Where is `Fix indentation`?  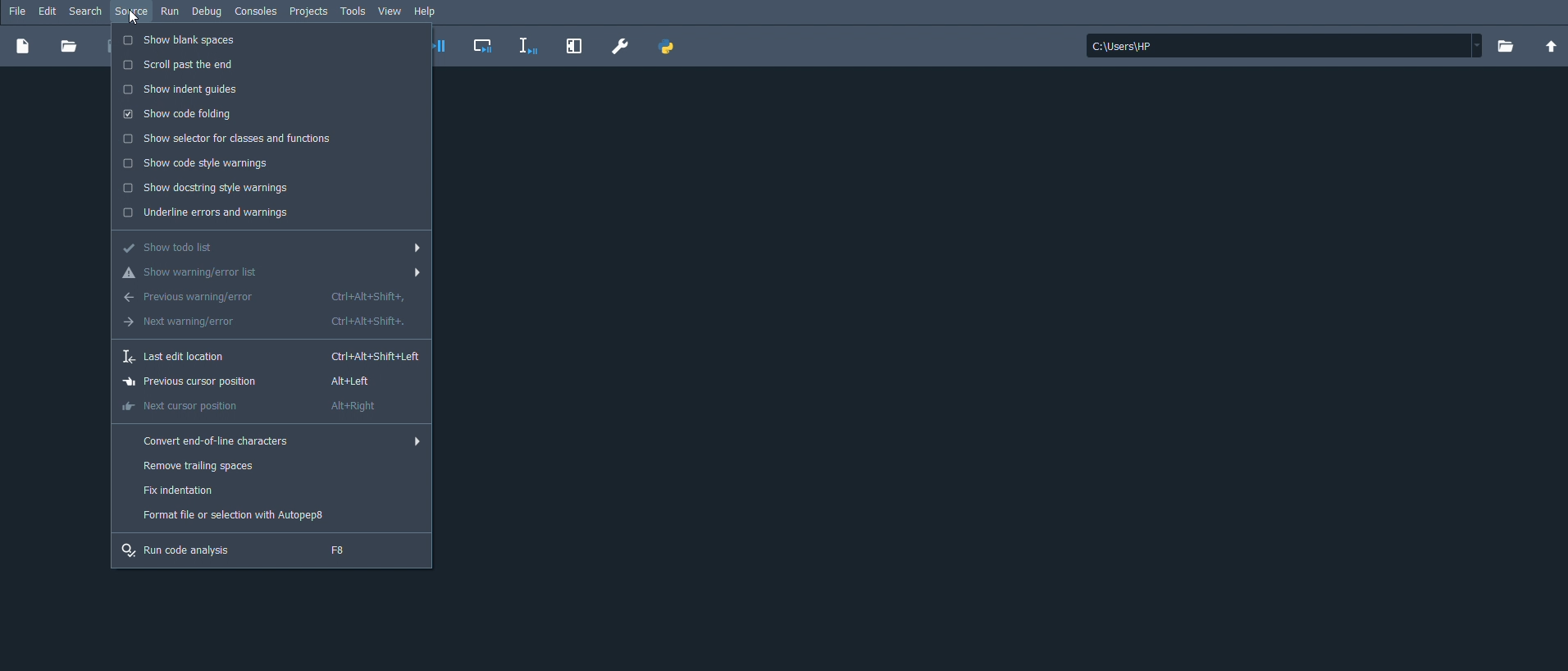 Fix indentation is located at coordinates (173, 491).